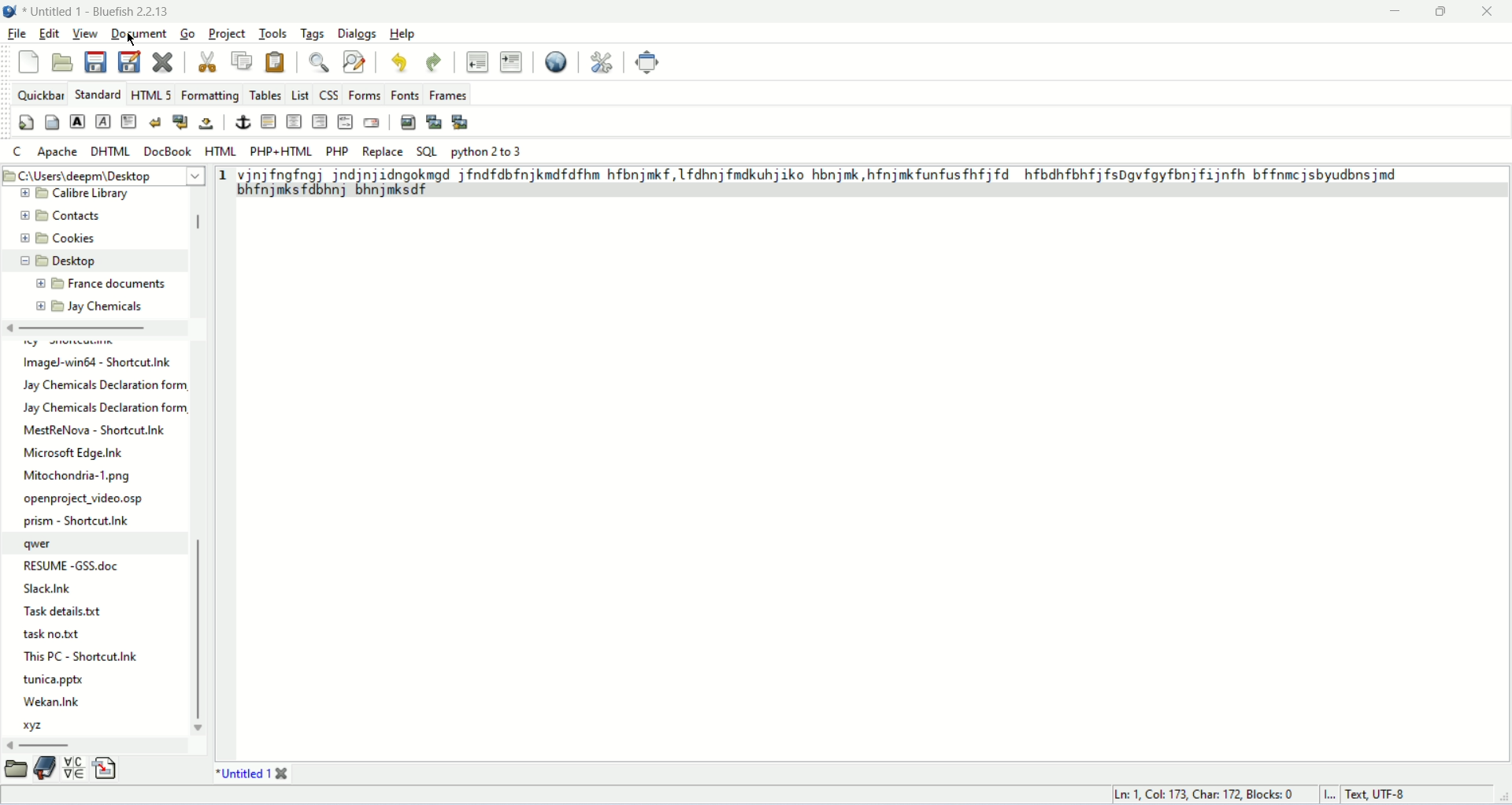 This screenshot has width=1512, height=805. Describe the element at coordinates (434, 60) in the screenshot. I see `redo` at that location.